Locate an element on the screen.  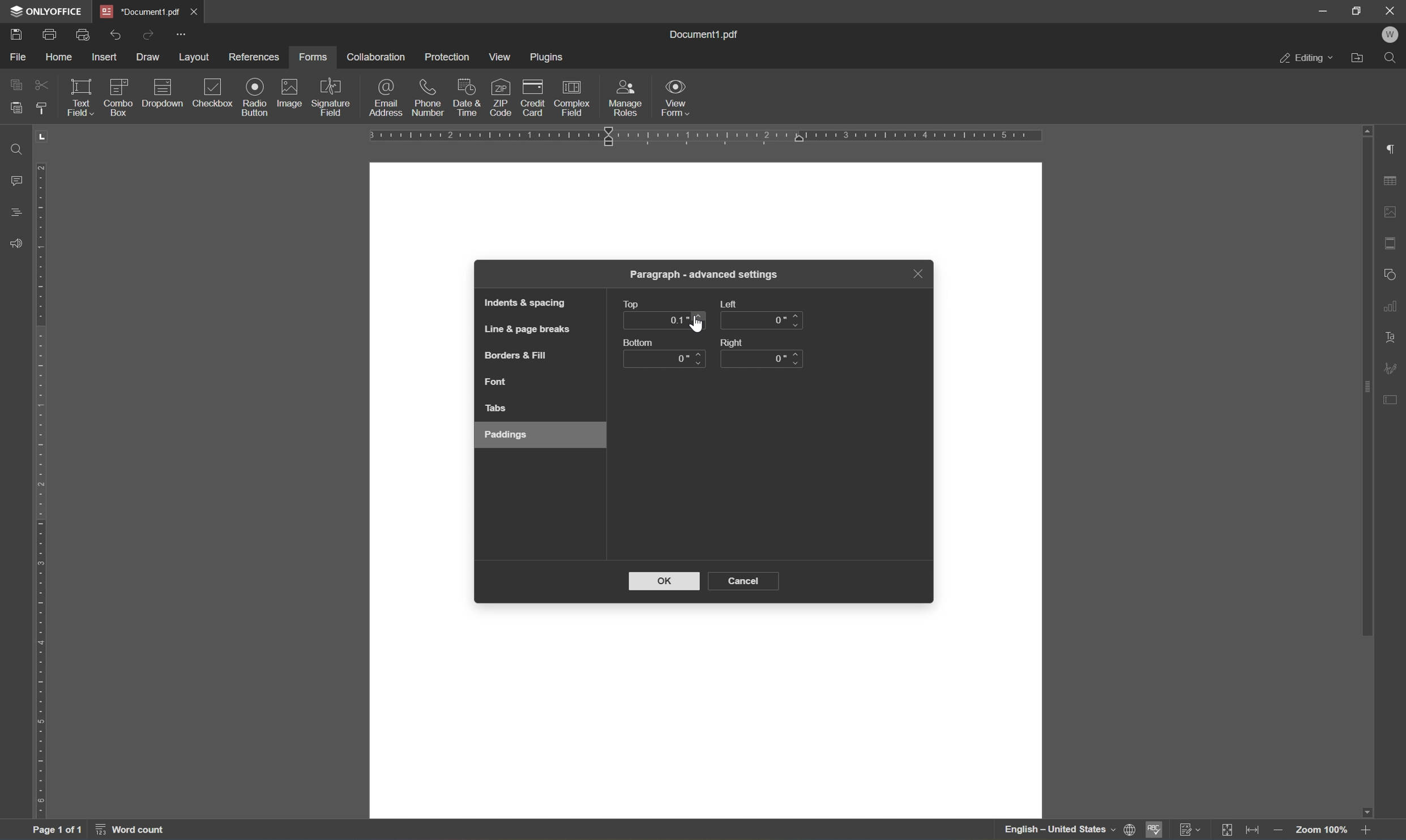
fit to width is located at coordinates (1257, 830).